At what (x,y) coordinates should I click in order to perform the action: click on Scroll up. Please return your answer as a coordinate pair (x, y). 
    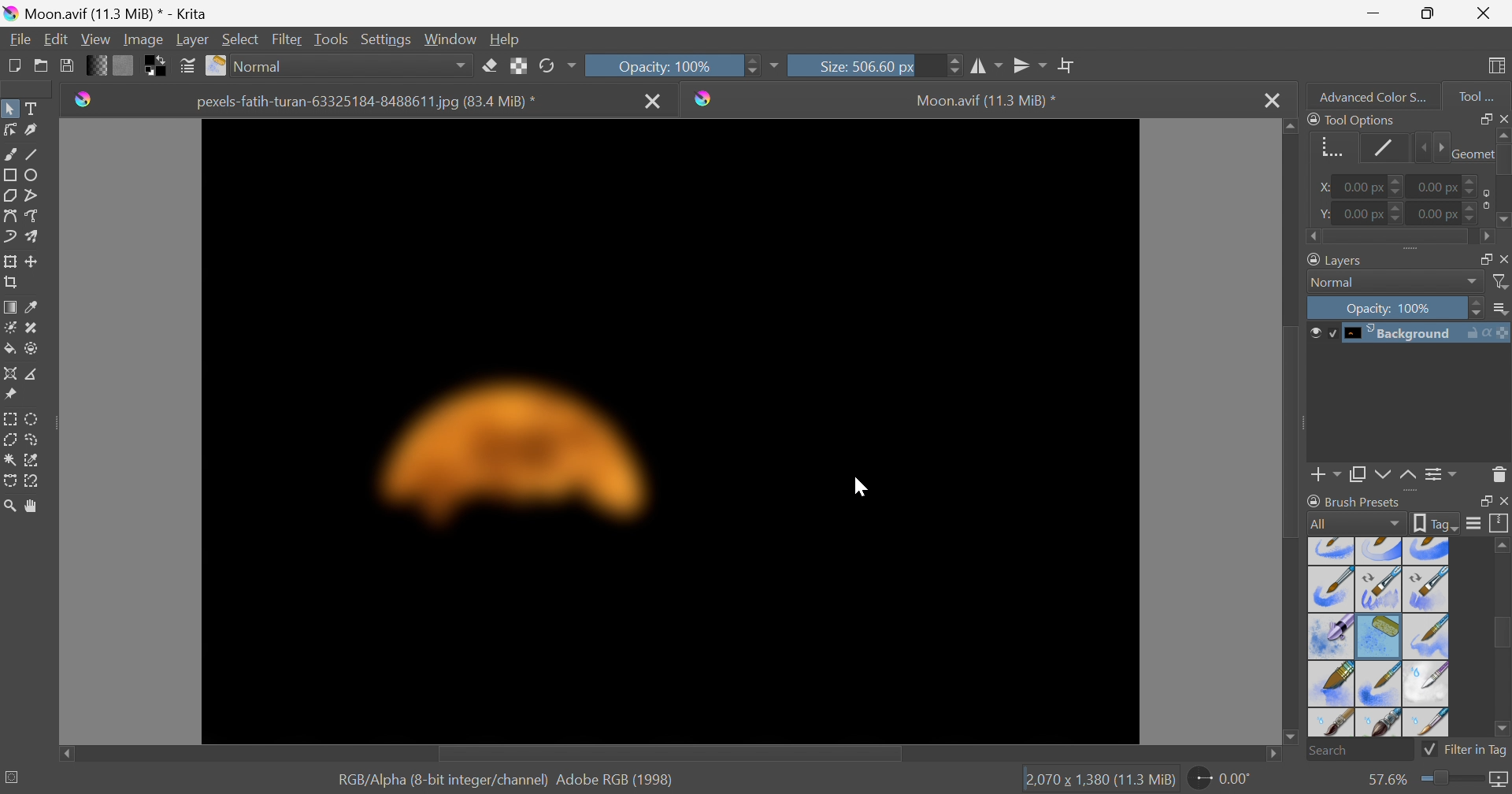
    Looking at the image, I should click on (1503, 134).